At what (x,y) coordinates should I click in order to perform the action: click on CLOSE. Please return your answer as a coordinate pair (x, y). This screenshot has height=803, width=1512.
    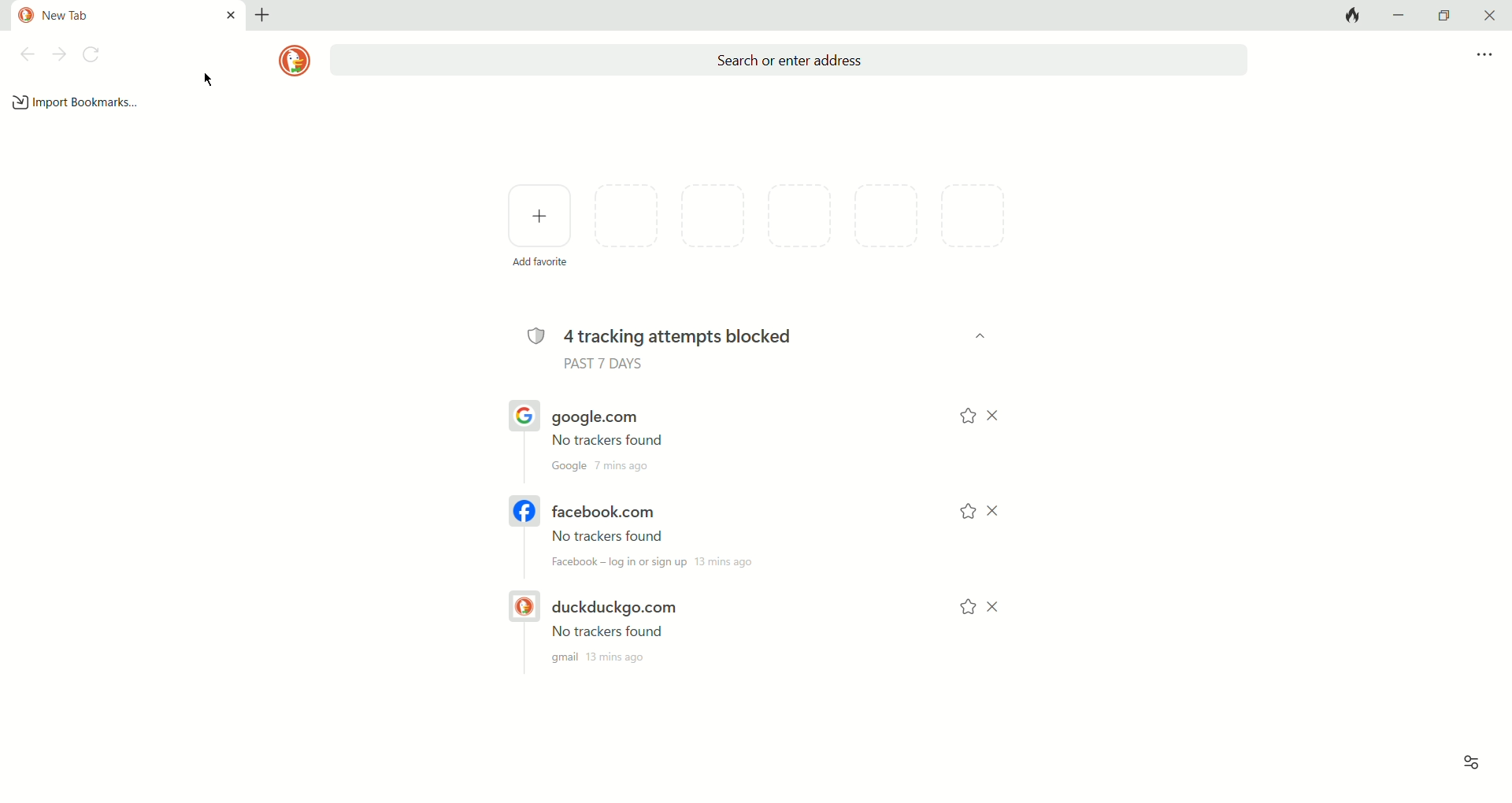
    Looking at the image, I should click on (995, 512).